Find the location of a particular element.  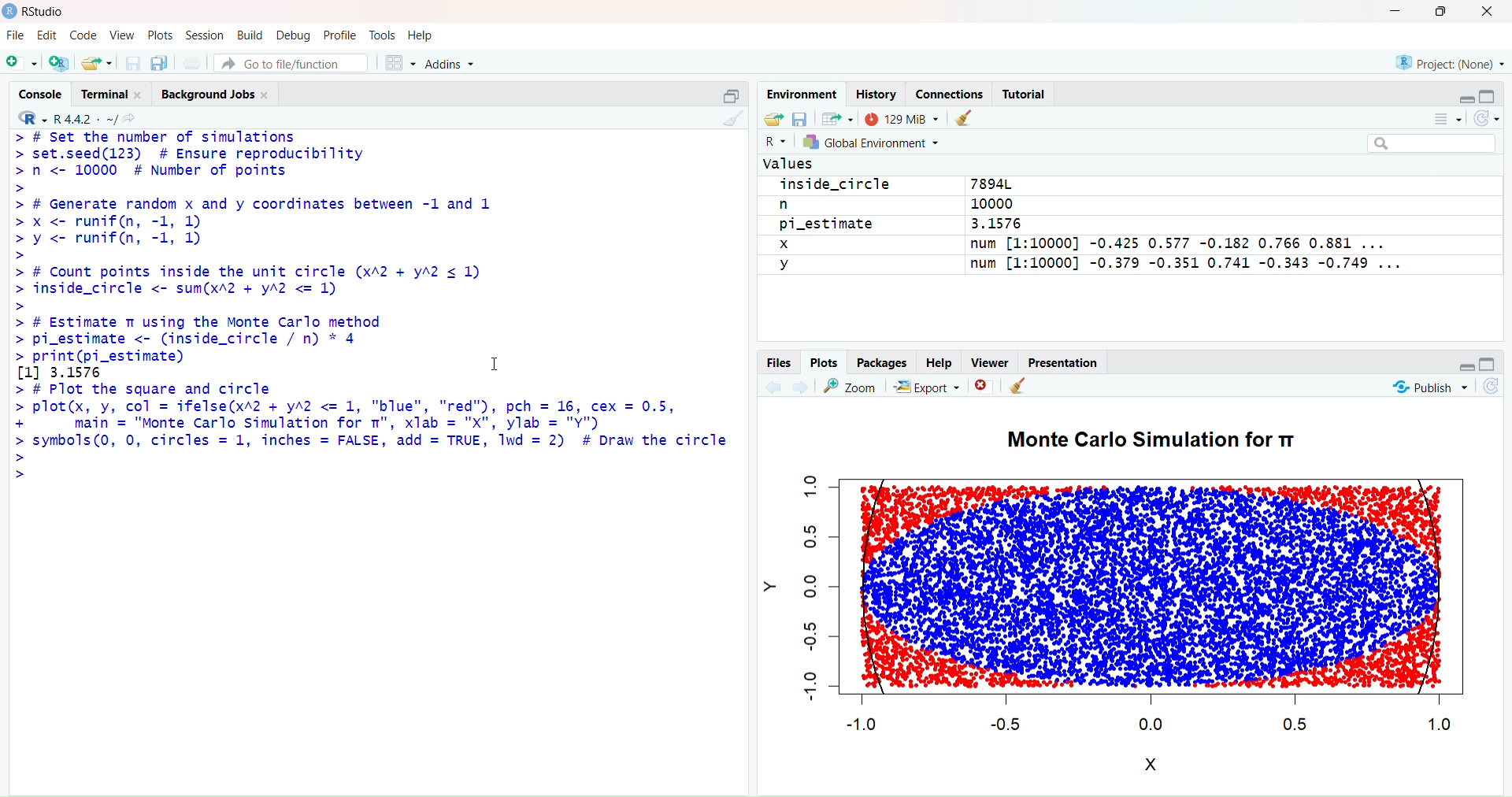

File is located at coordinates (18, 35).